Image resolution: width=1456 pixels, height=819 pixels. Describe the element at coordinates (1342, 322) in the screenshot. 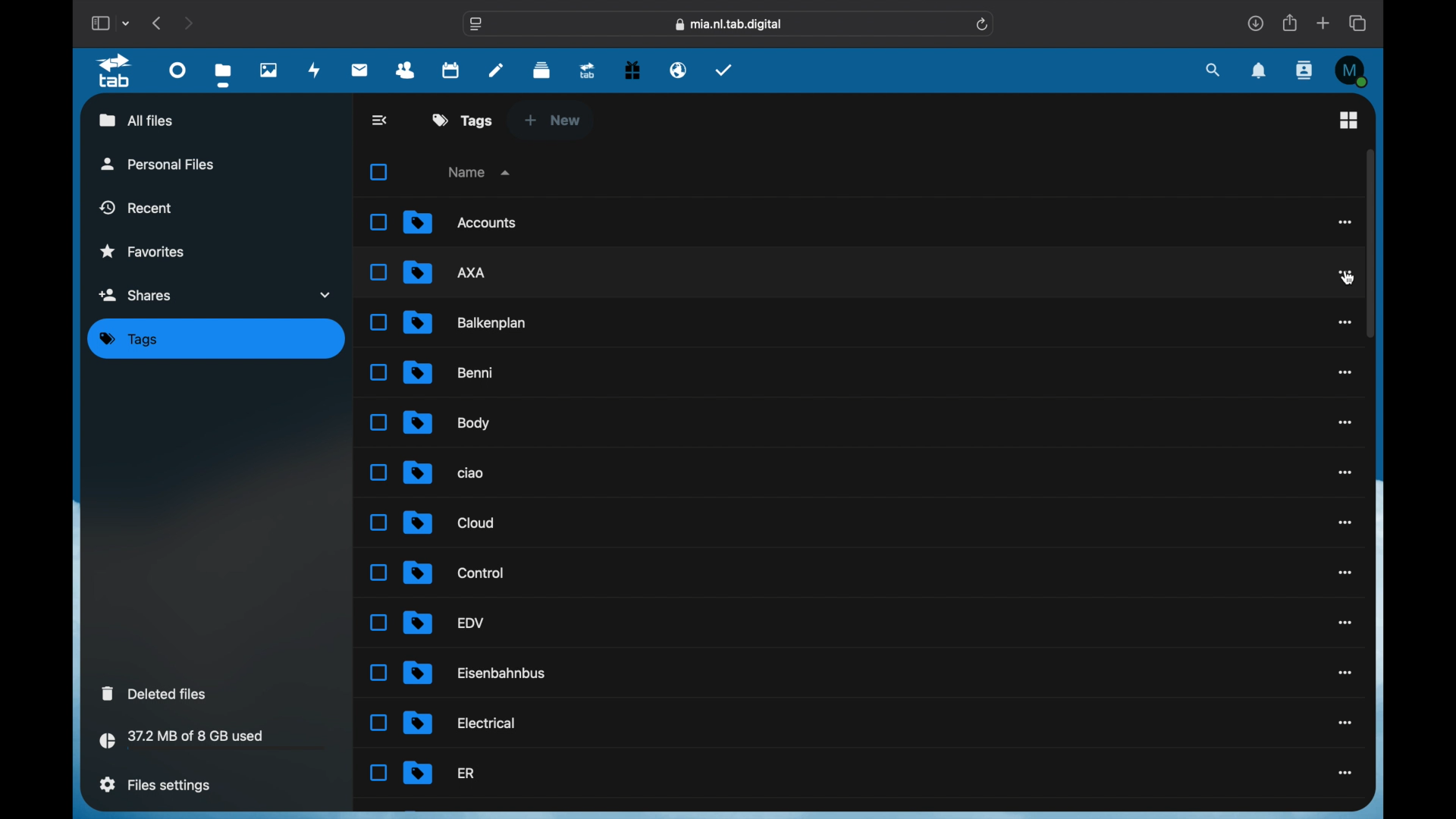

I see `more options` at that location.